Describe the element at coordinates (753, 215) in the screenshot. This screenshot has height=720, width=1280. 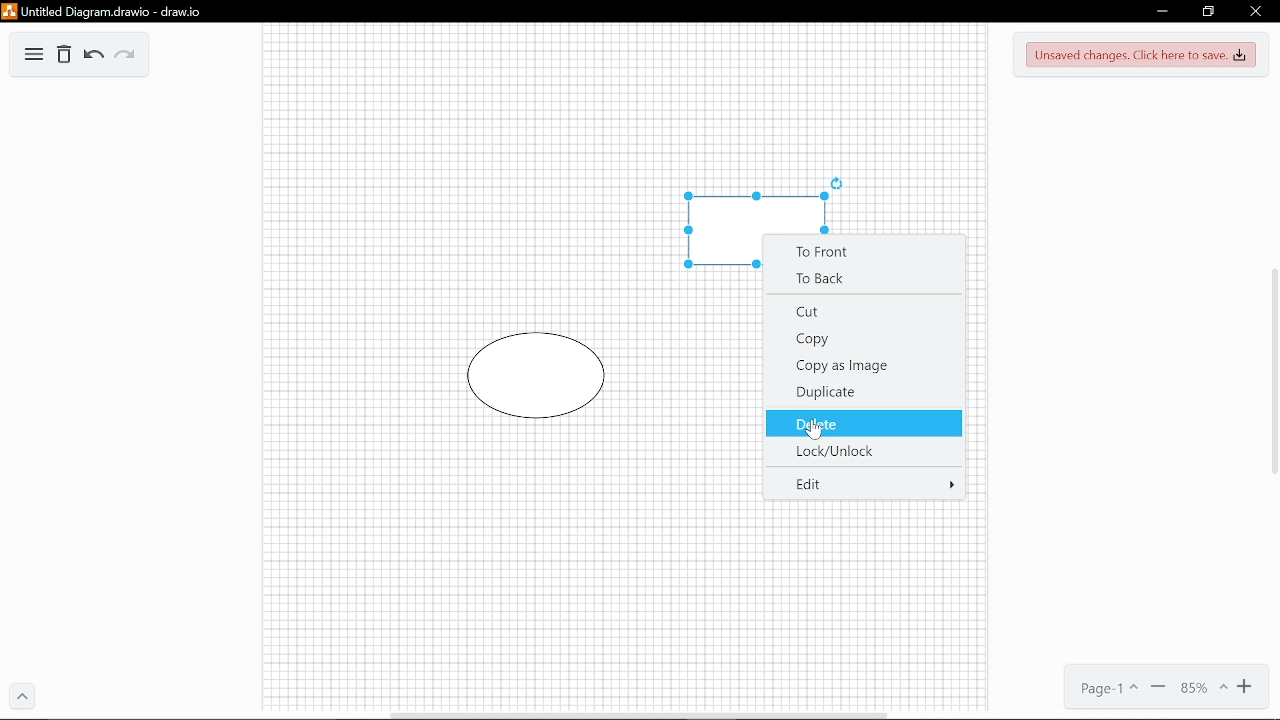
I see `selected rectangle shape` at that location.